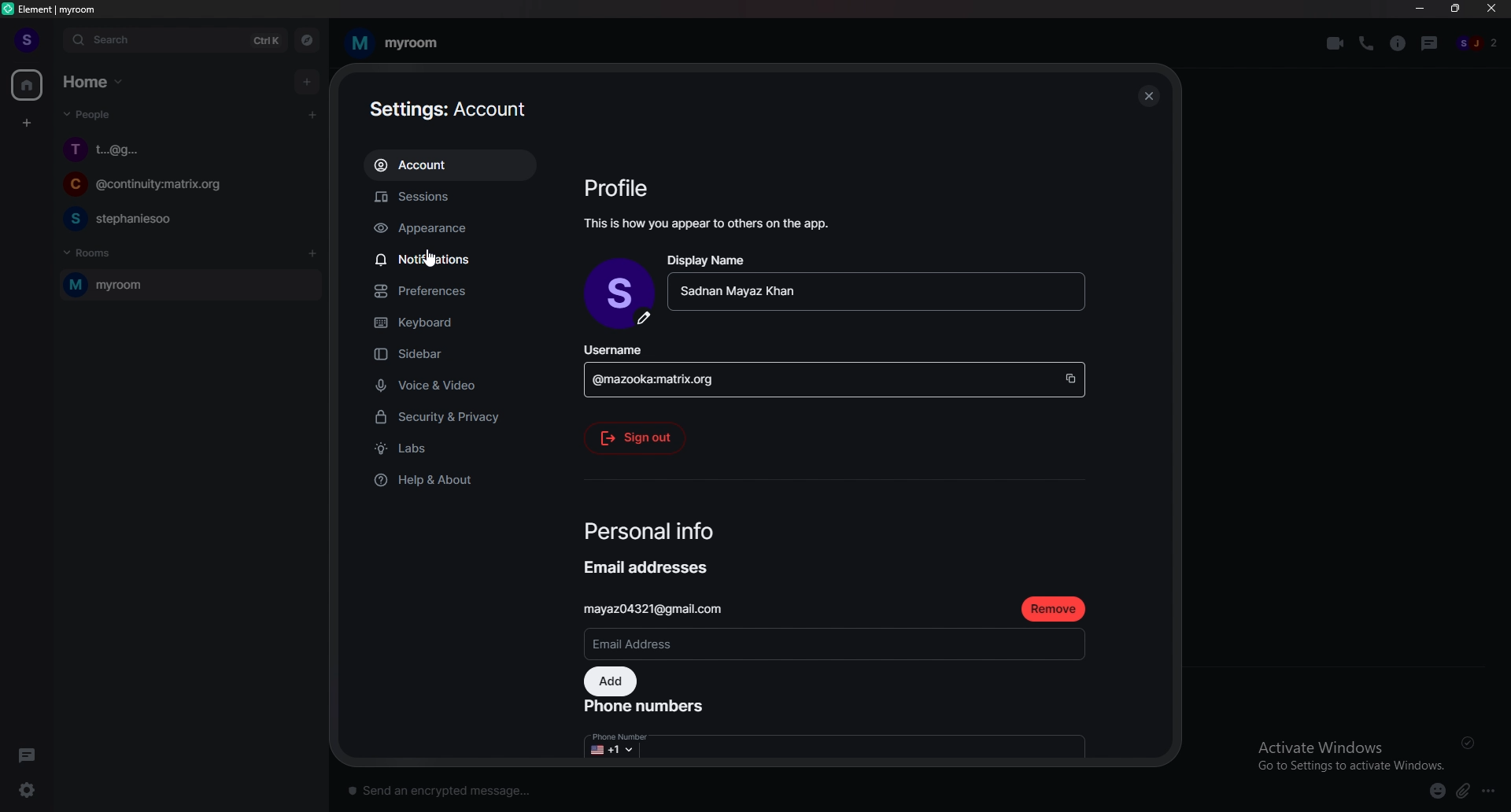 Image resolution: width=1511 pixels, height=812 pixels. Describe the element at coordinates (28, 753) in the screenshot. I see `thread` at that location.